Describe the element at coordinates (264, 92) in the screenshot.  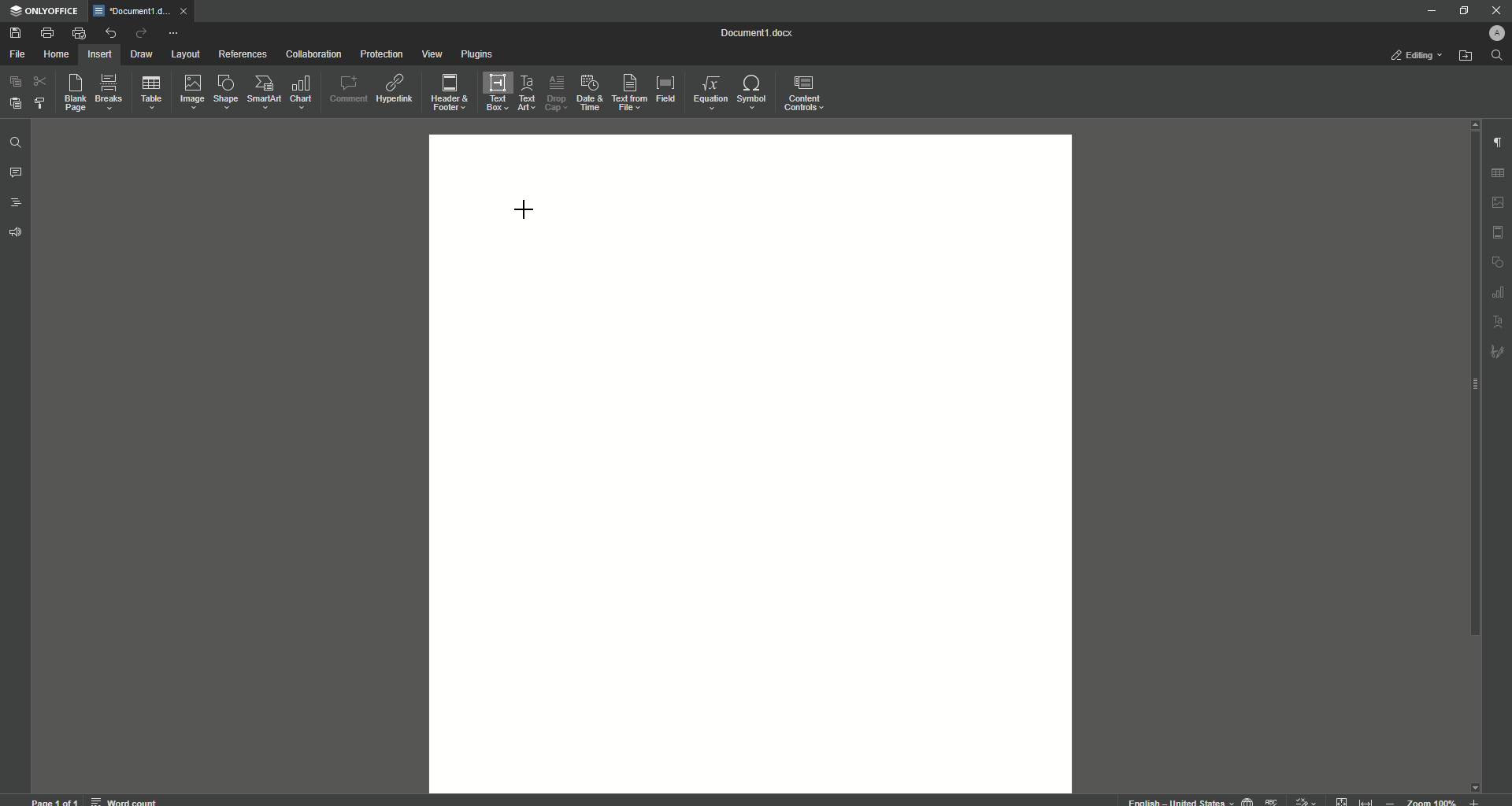
I see `SmartArt` at that location.